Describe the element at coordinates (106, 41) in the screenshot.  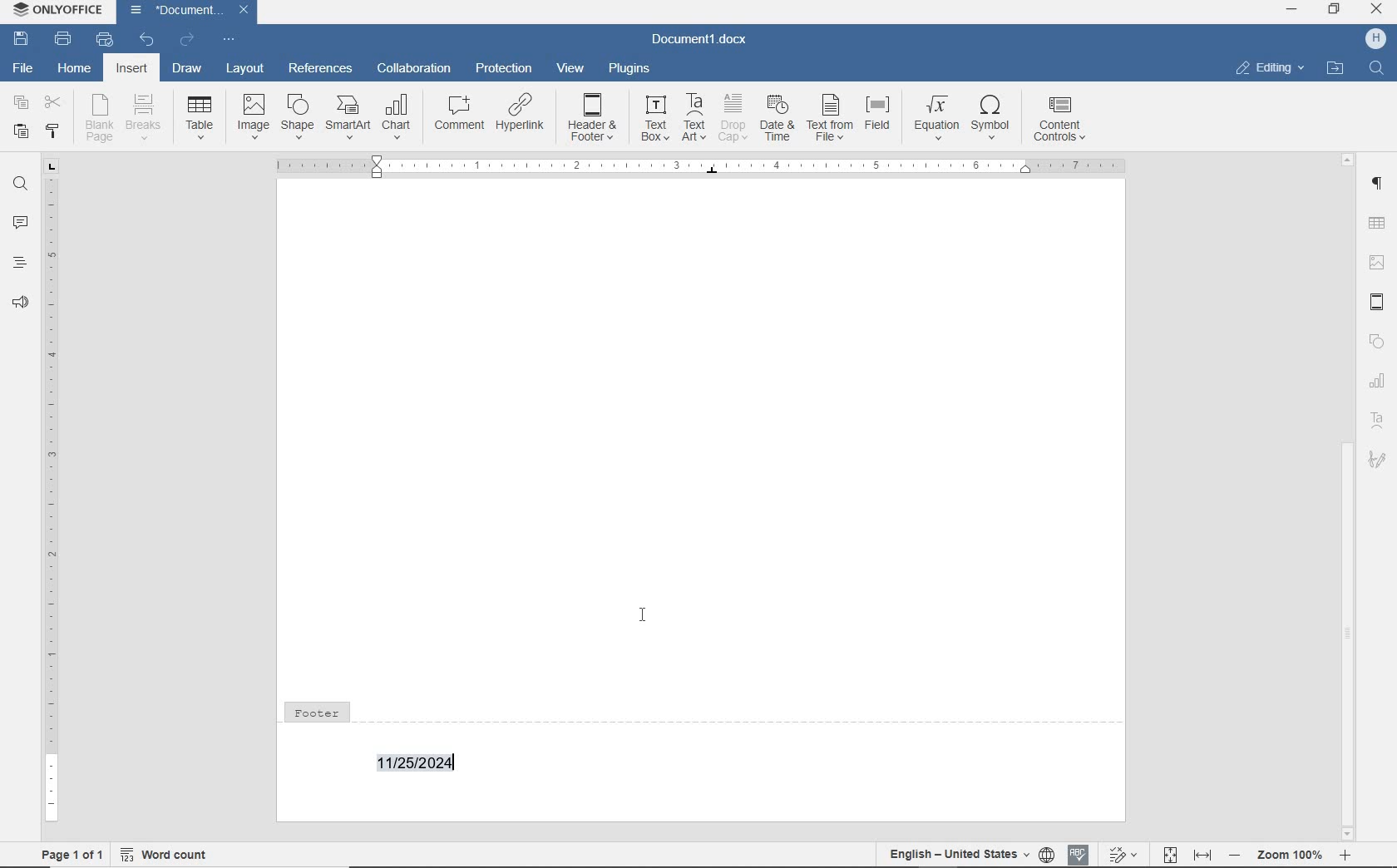
I see `quick print` at that location.